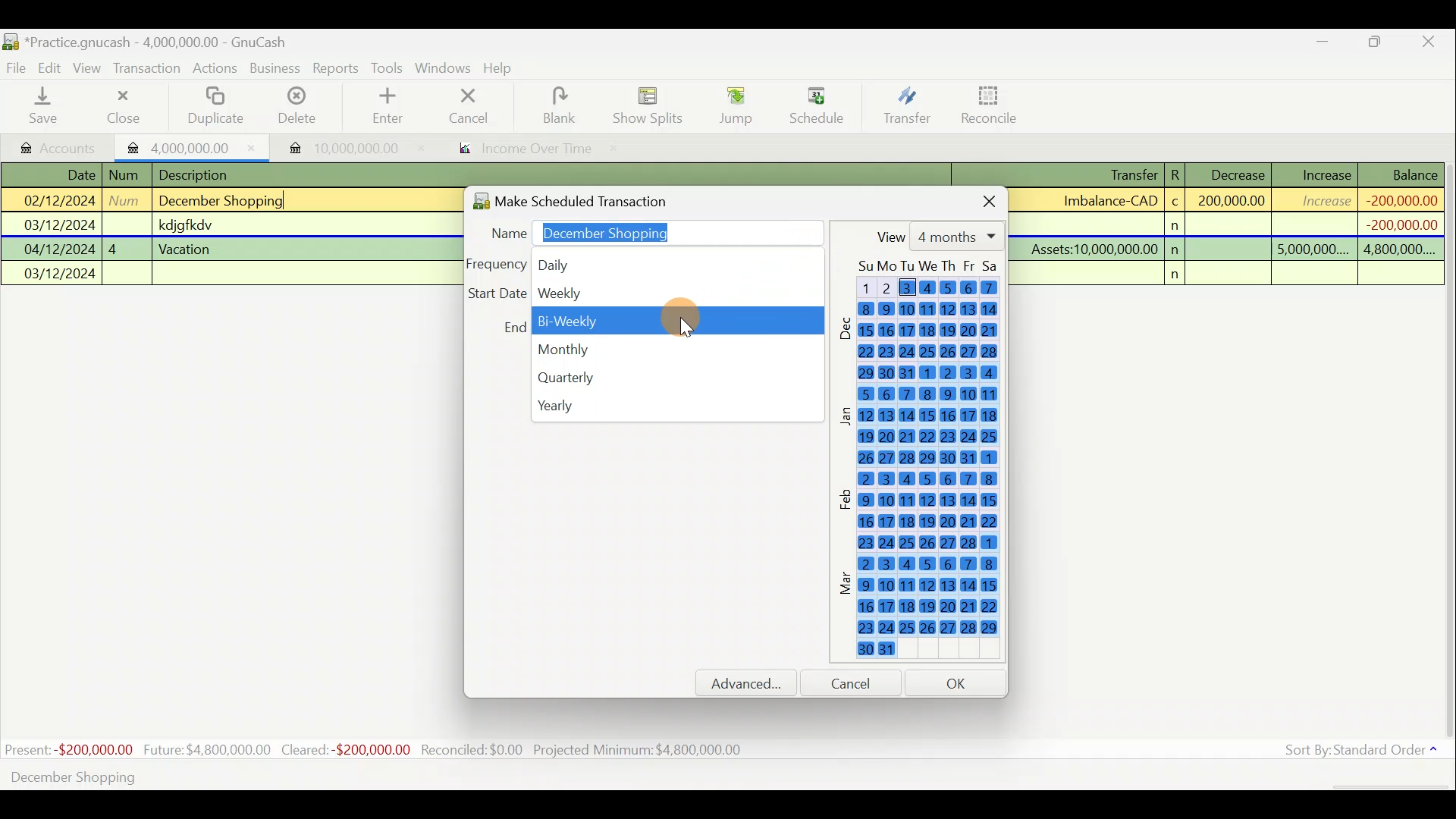 The width and height of the screenshot is (1456, 819). What do you see at coordinates (52, 67) in the screenshot?
I see `Edit` at bounding box center [52, 67].